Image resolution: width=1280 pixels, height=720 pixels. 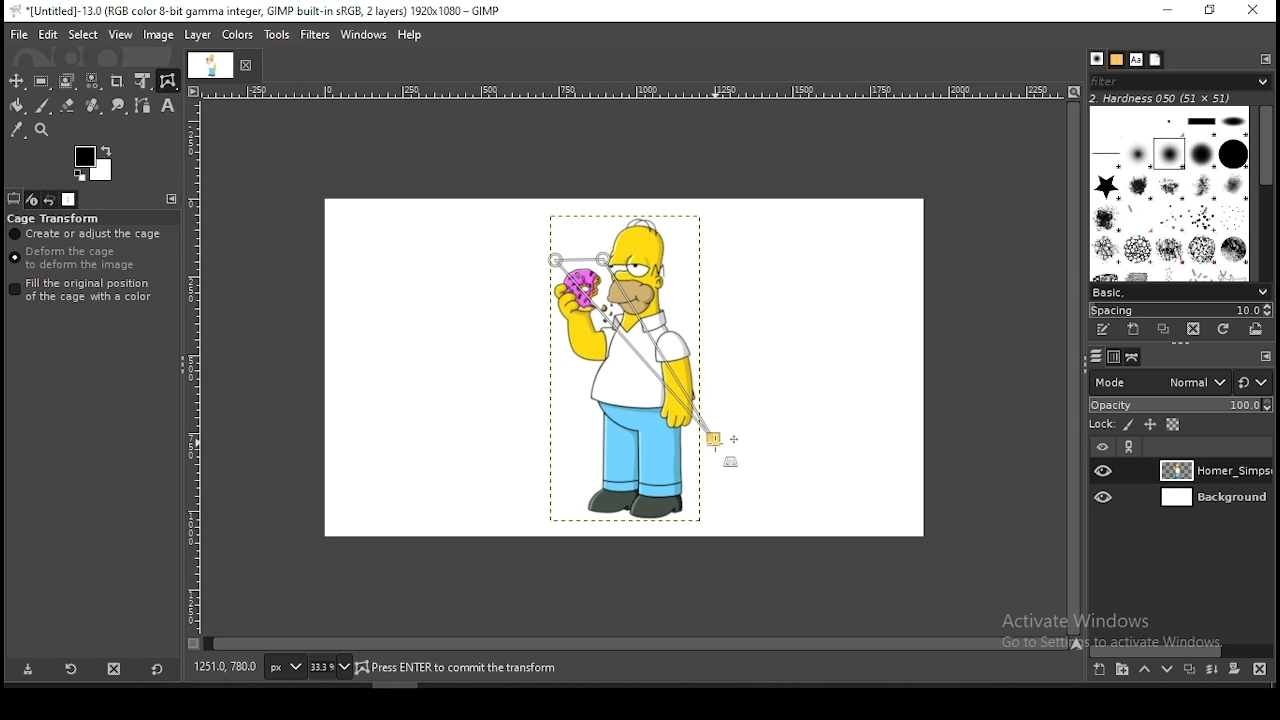 I want to click on file, so click(x=19, y=33).